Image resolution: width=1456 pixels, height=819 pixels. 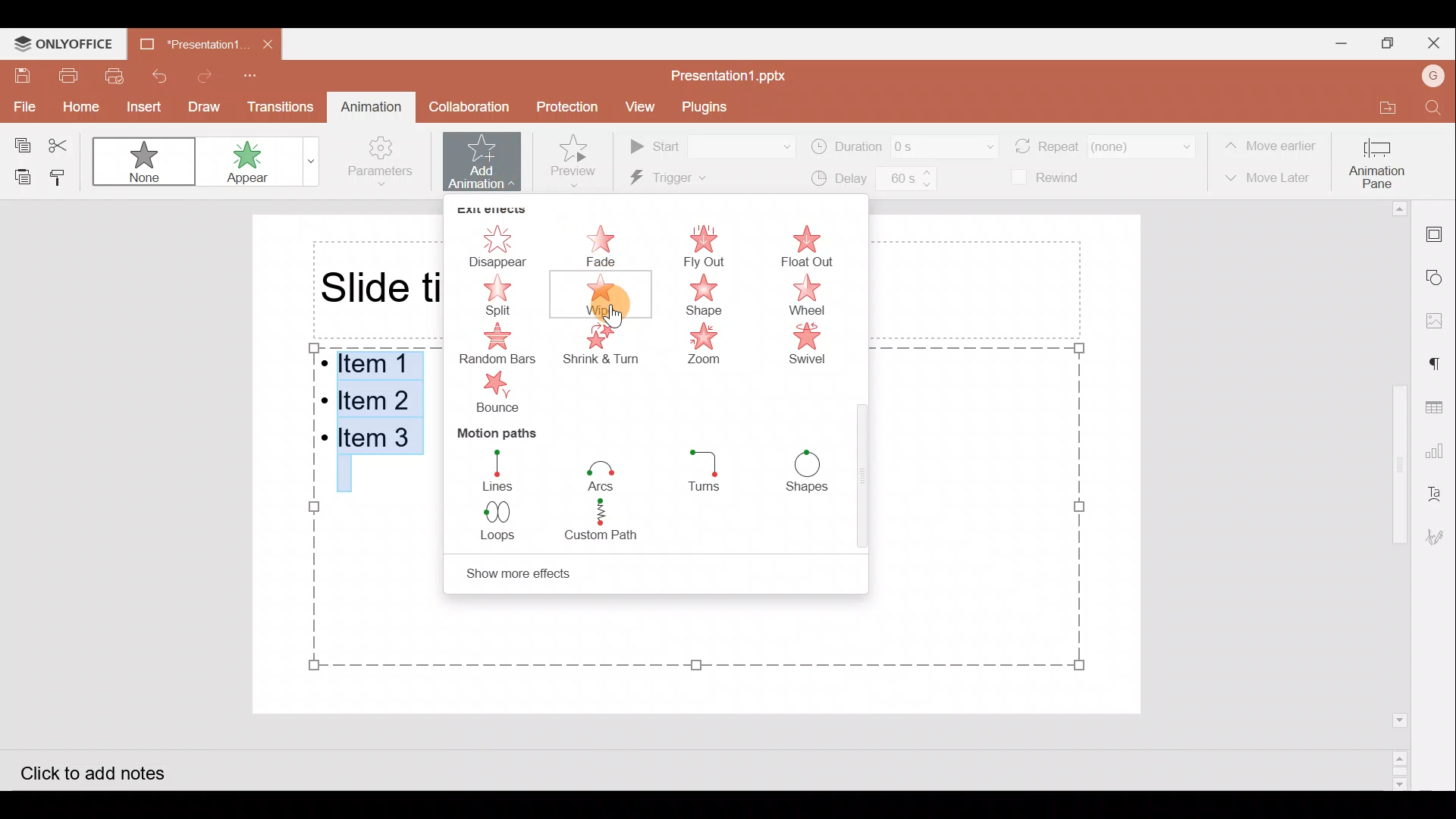 I want to click on Turns, so click(x=715, y=472).